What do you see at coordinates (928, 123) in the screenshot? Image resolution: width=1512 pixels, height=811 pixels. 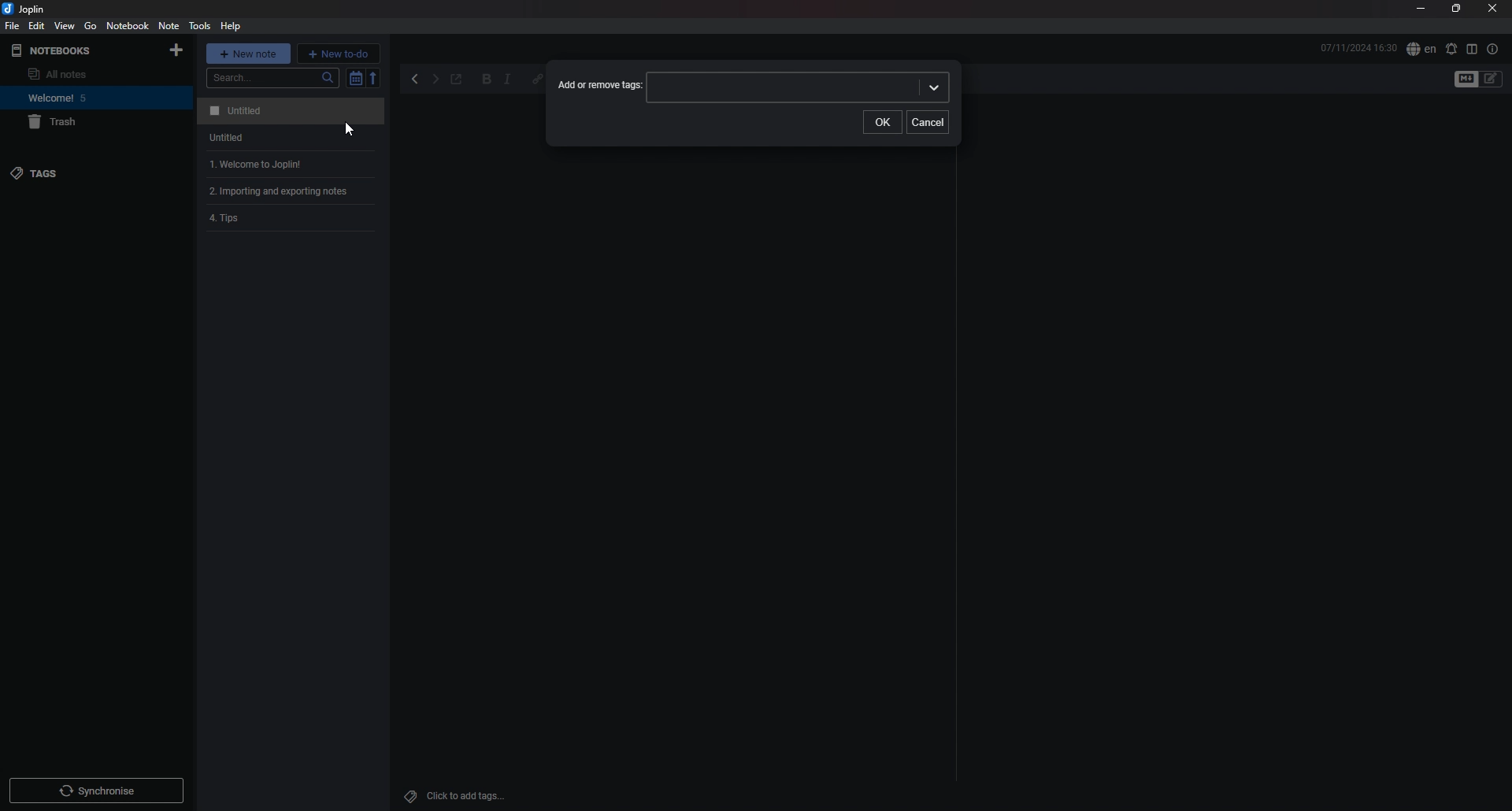 I see `cancel` at bounding box center [928, 123].